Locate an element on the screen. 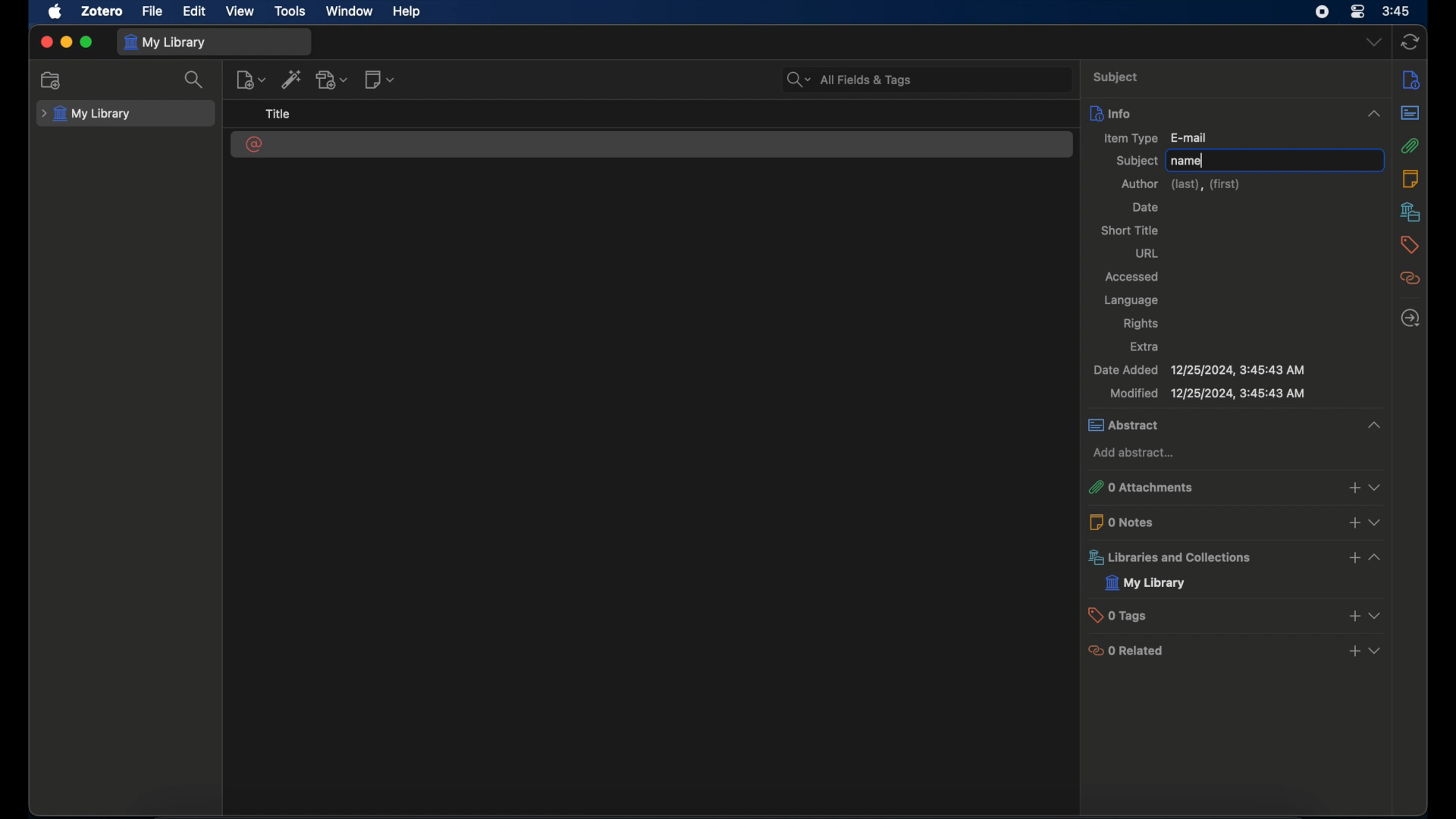  add abstract is located at coordinates (1136, 453).